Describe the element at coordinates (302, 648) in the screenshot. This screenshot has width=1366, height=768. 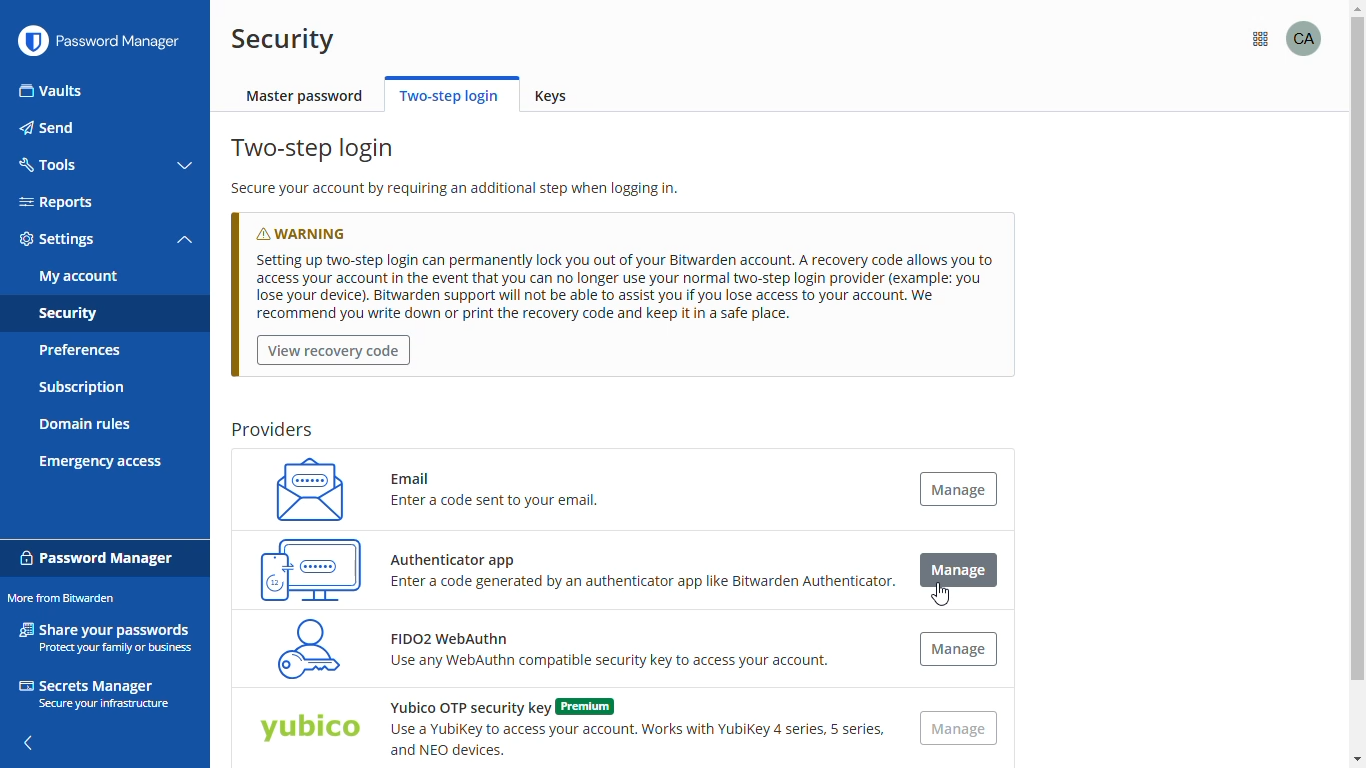
I see `FIDO2 WebAuthn` at that location.